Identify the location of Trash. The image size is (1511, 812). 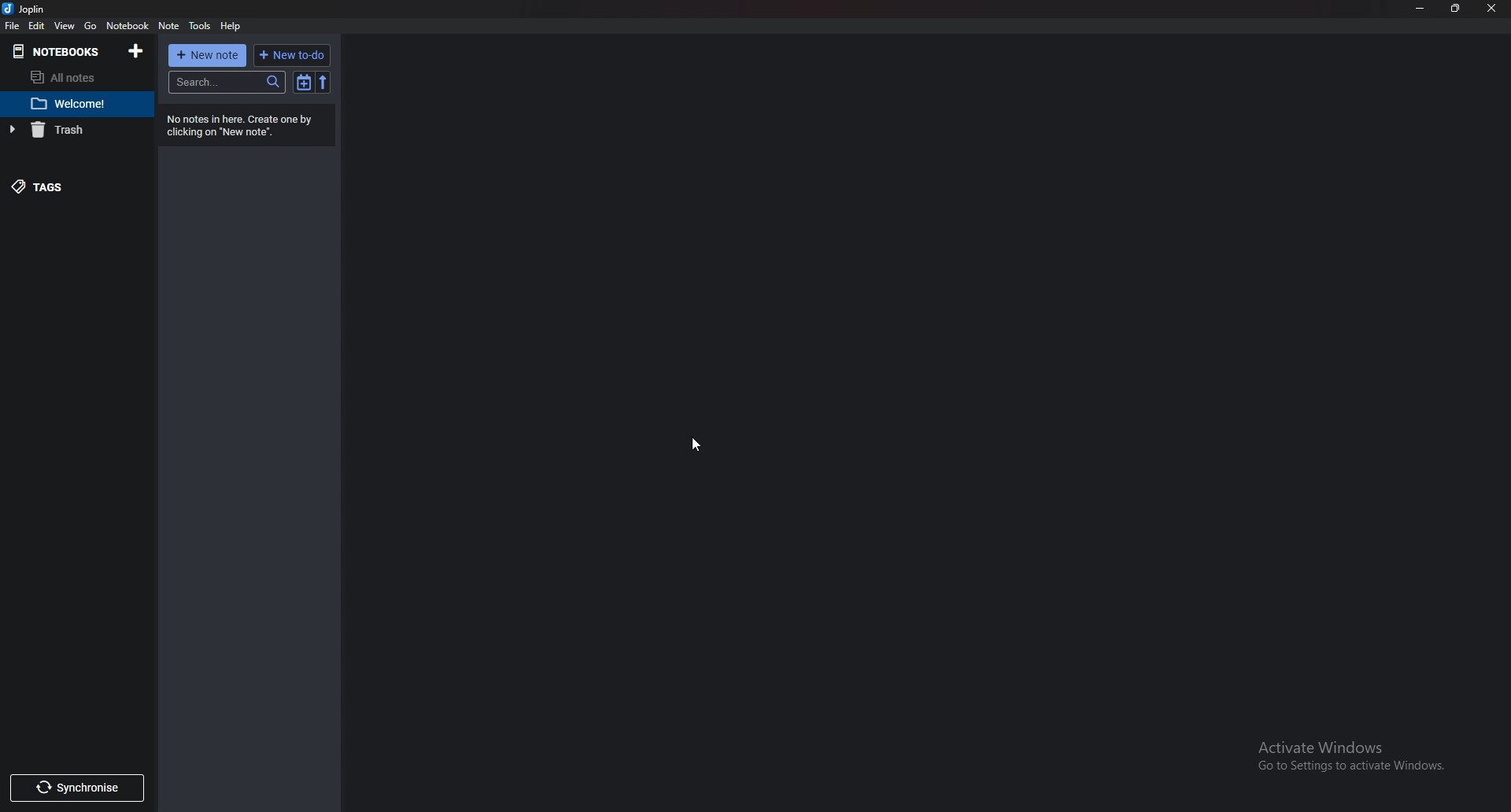
(72, 130).